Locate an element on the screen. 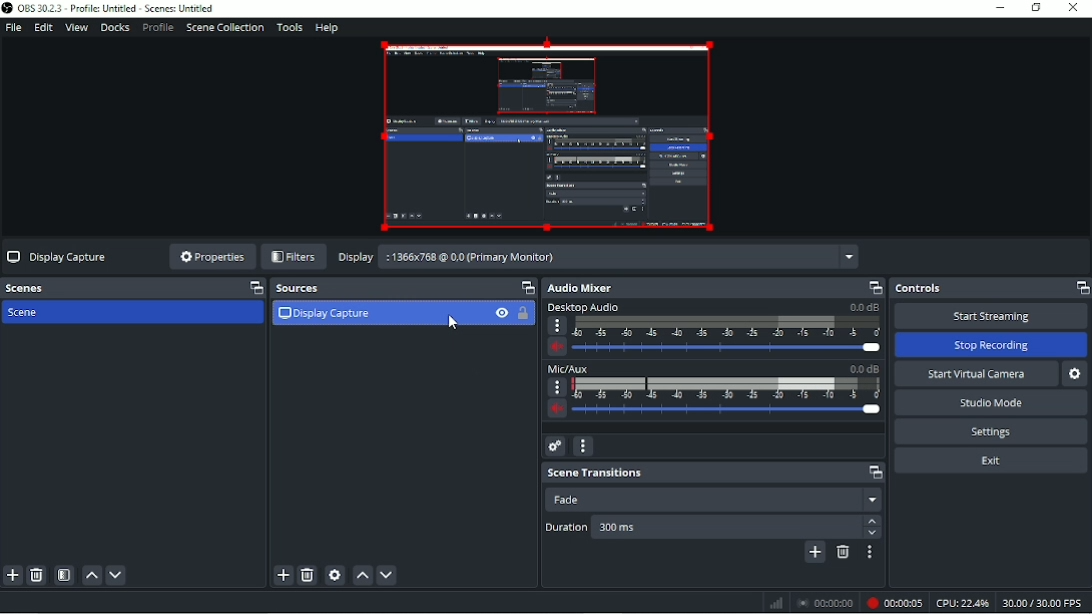  Scene is located at coordinates (27, 313).